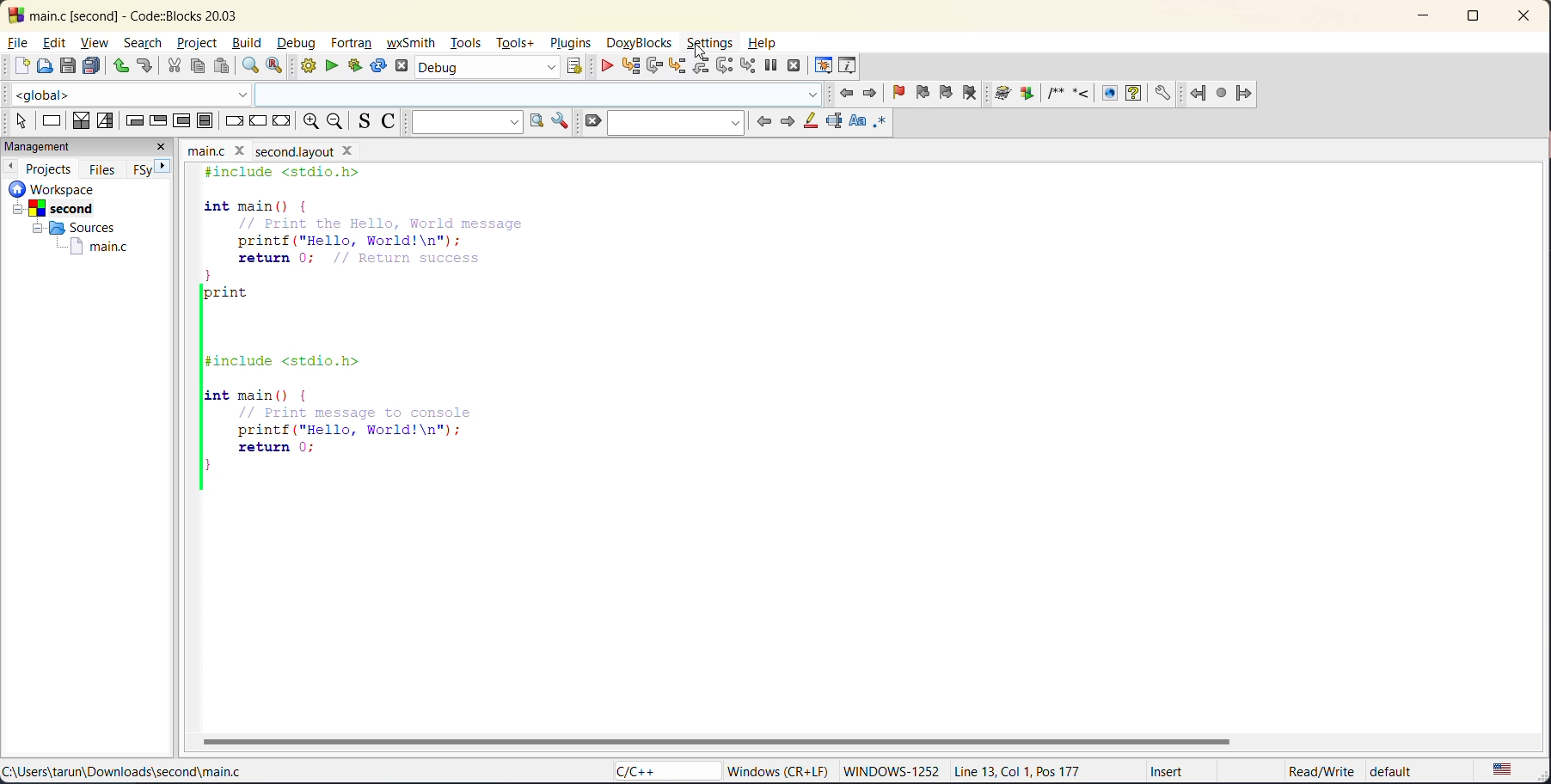  Describe the element at coordinates (205, 121) in the screenshot. I see `block instruction` at that location.